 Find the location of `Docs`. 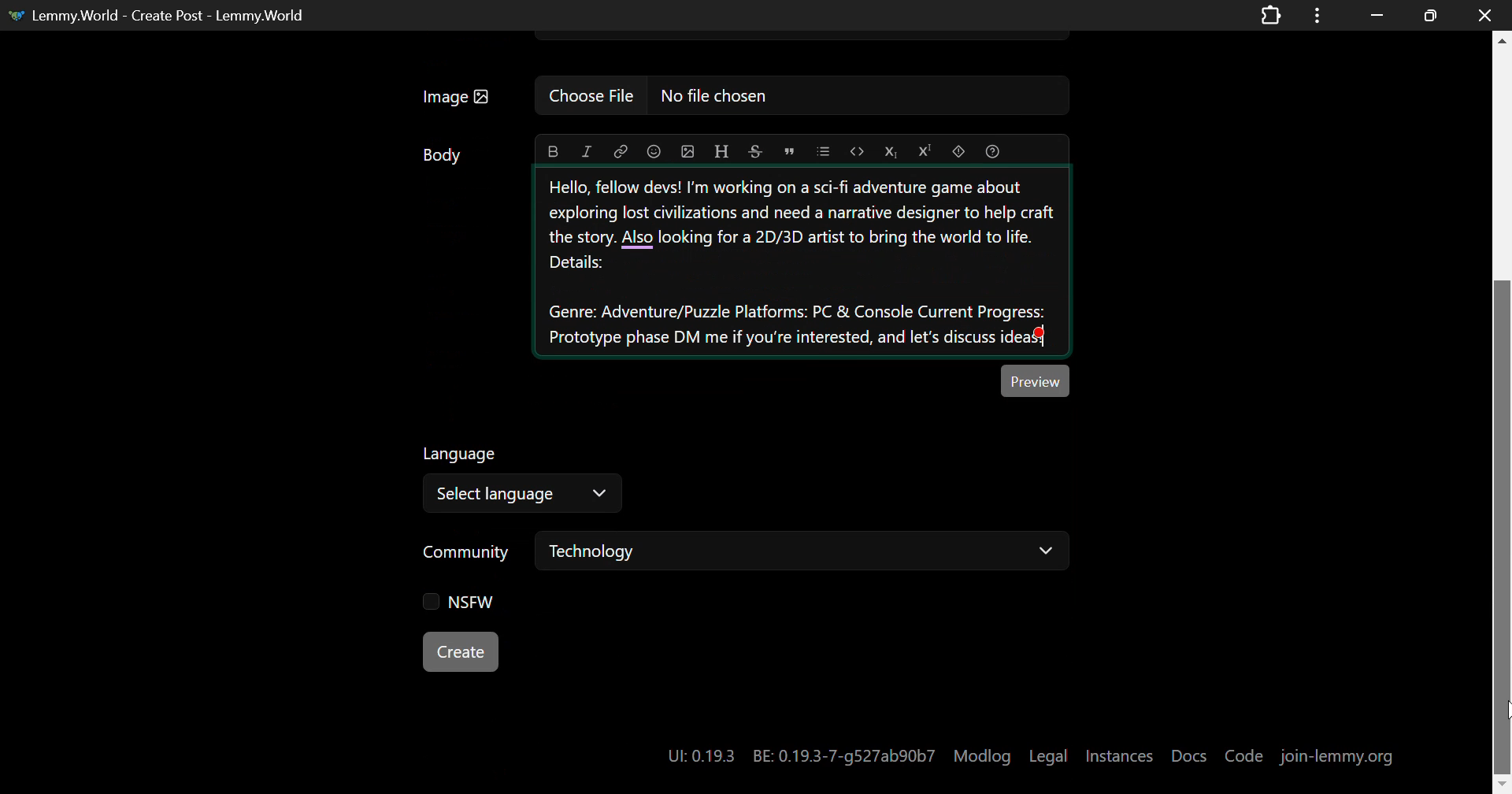

Docs is located at coordinates (1190, 749).